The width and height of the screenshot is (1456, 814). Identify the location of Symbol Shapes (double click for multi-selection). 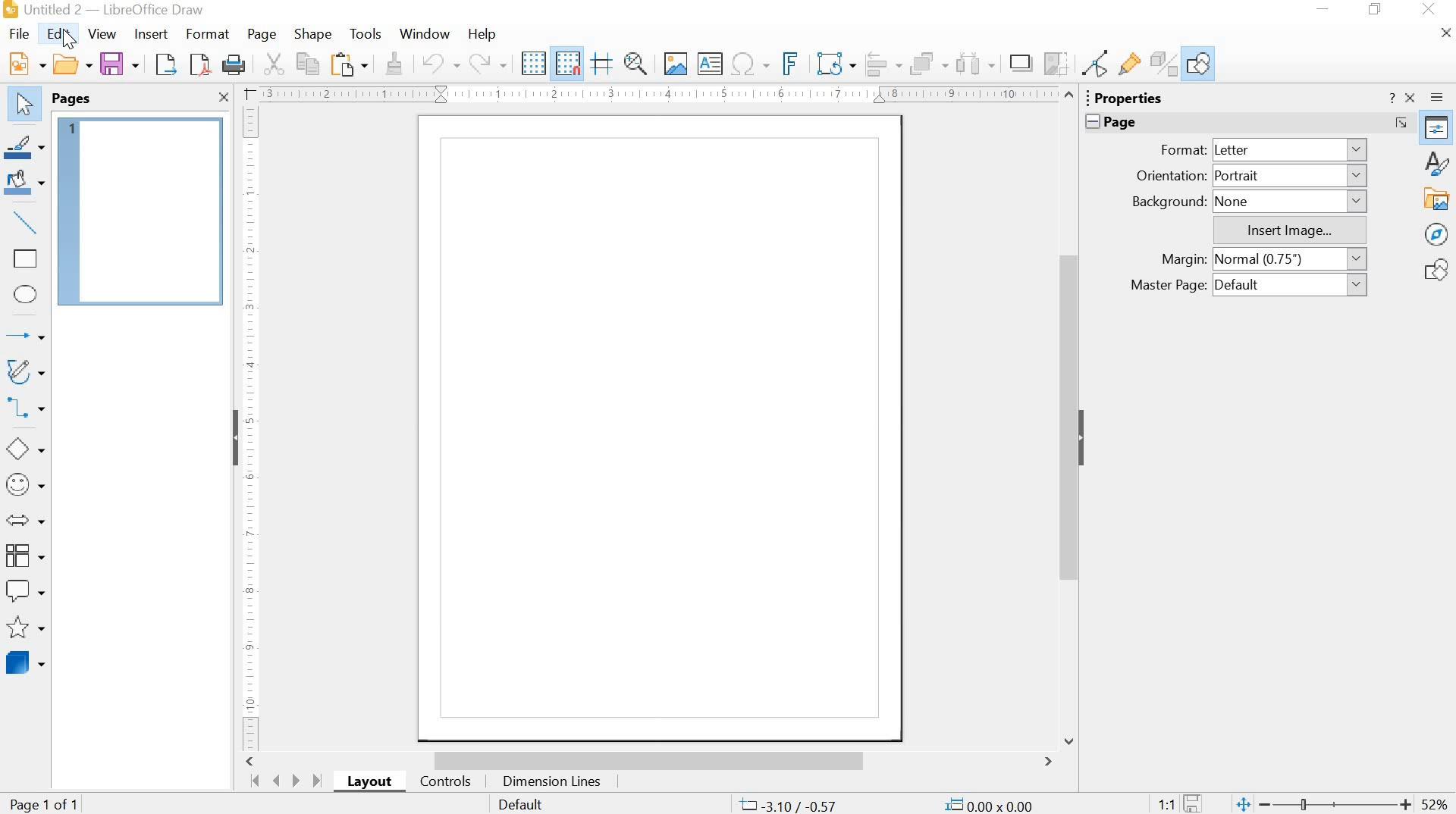
(28, 482).